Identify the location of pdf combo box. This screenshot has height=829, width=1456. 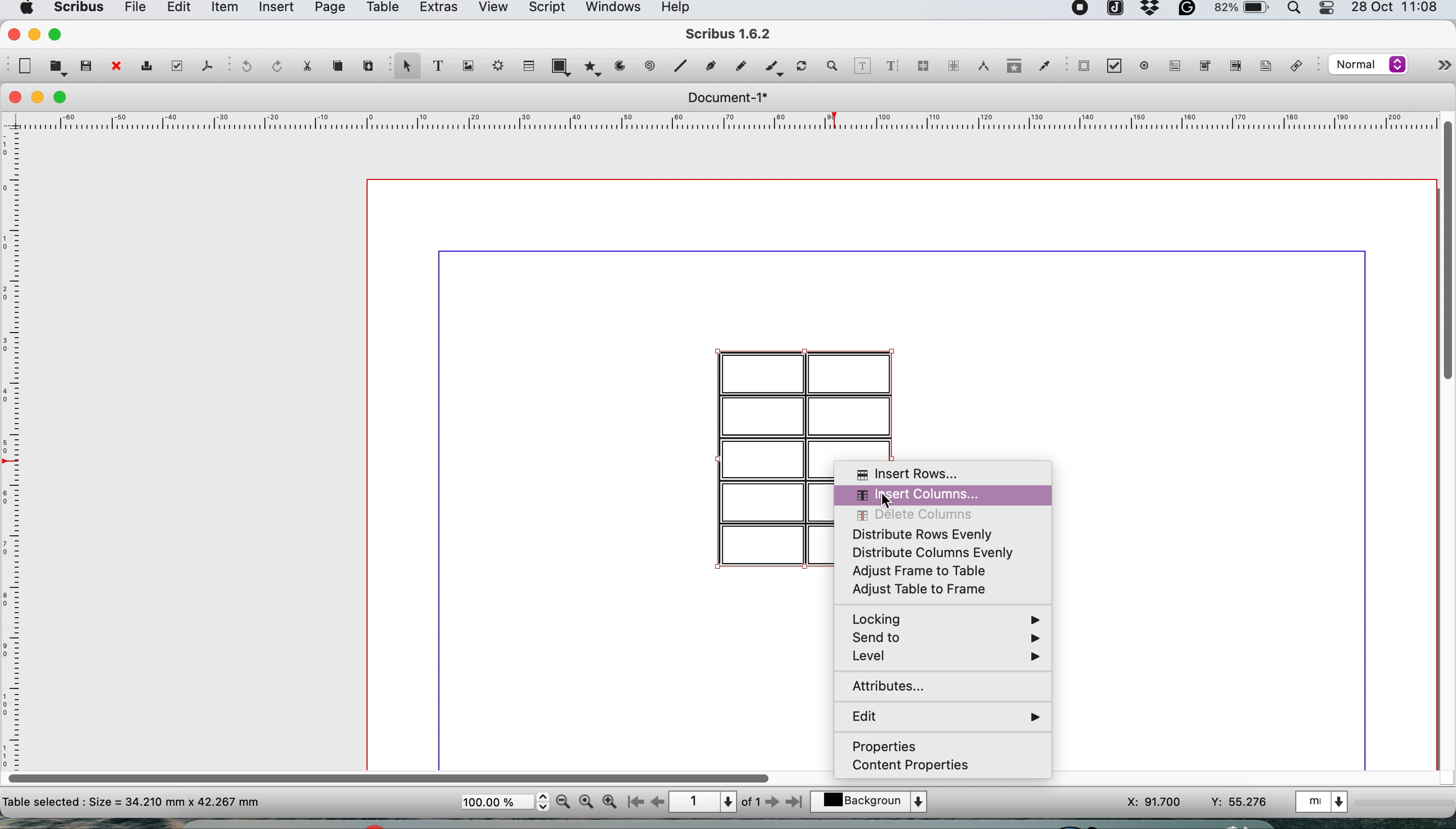
(1203, 69).